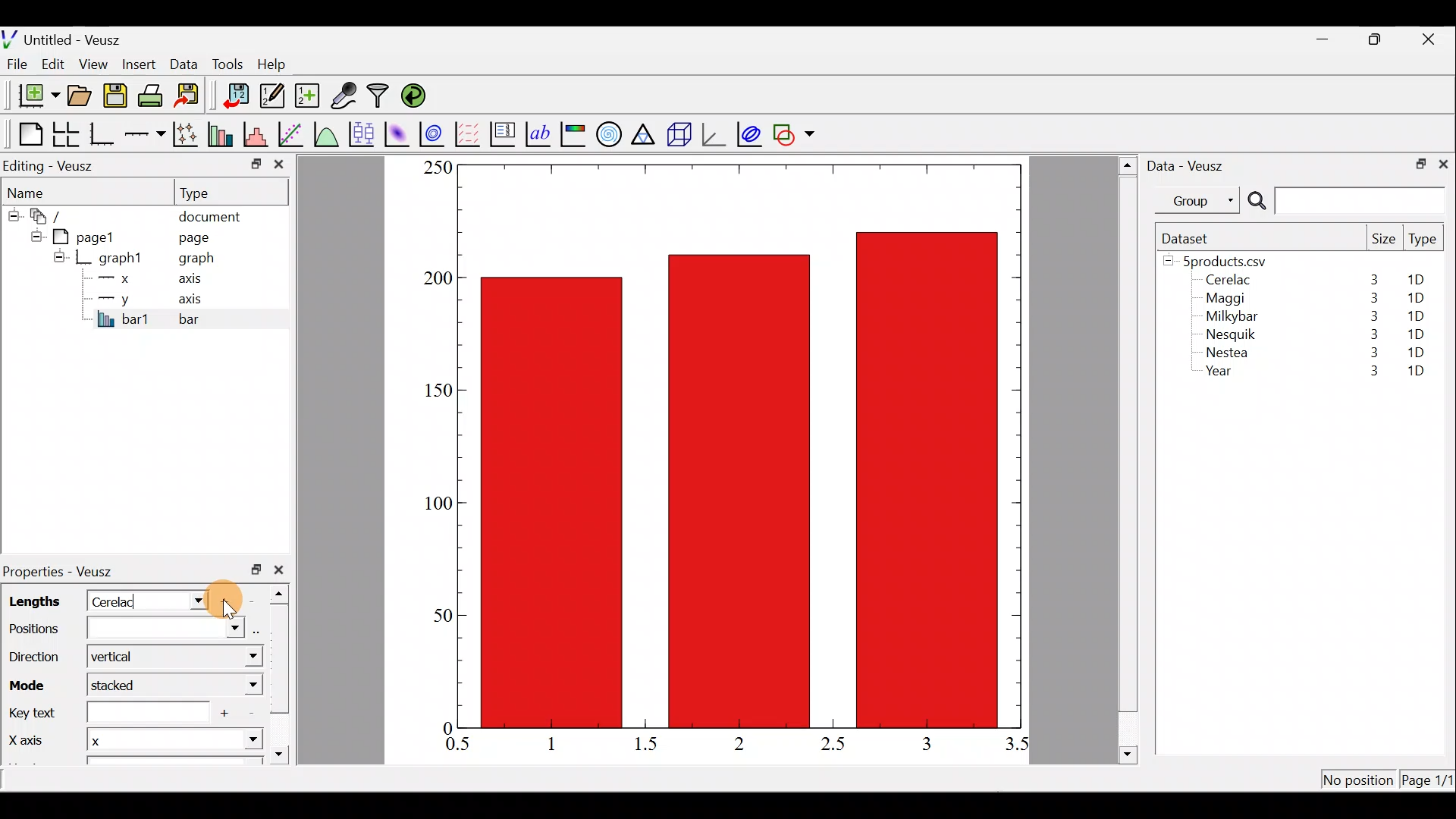  I want to click on 1D, so click(1416, 352).